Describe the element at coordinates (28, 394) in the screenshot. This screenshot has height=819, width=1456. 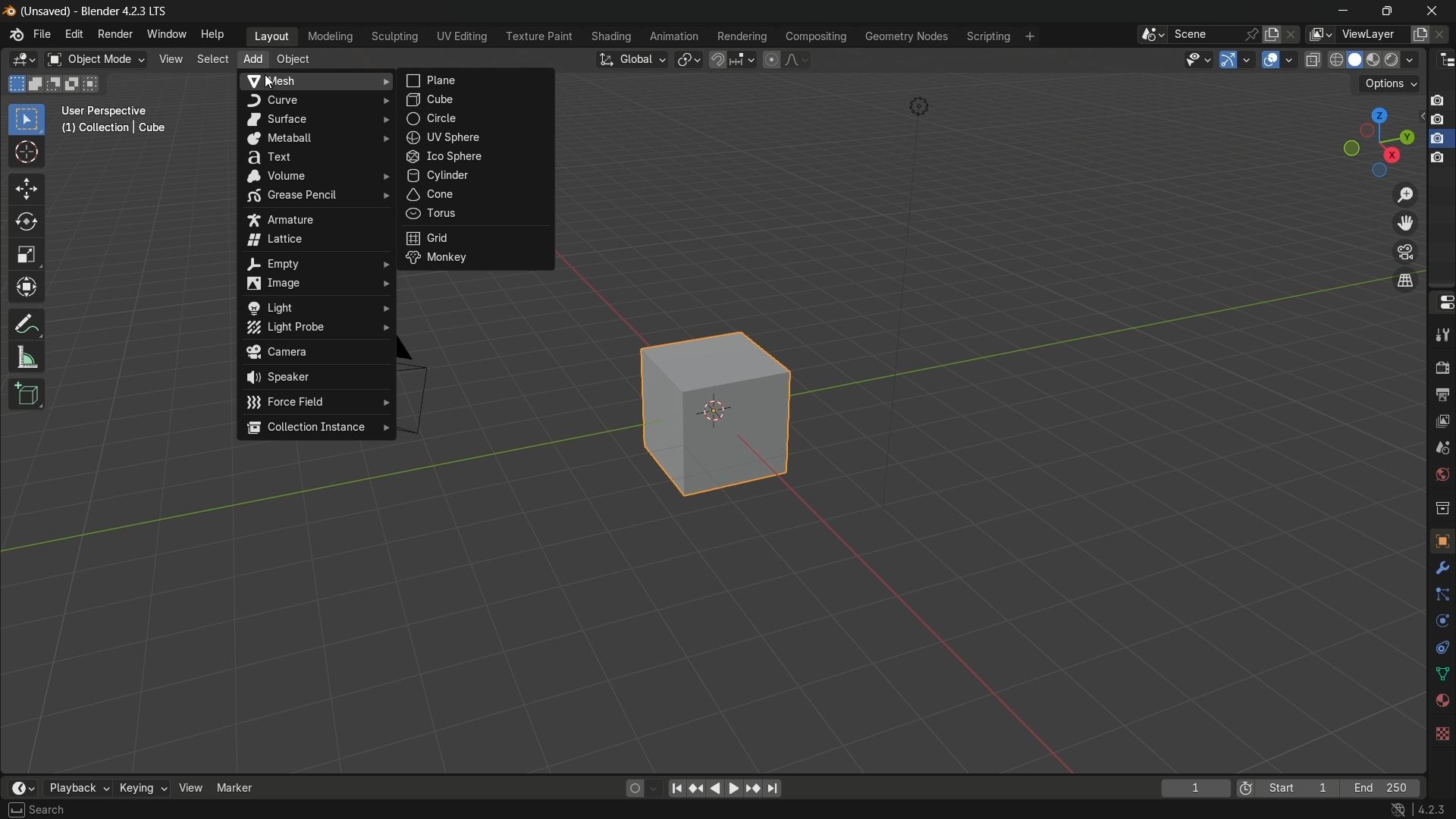
I see `add cube` at that location.